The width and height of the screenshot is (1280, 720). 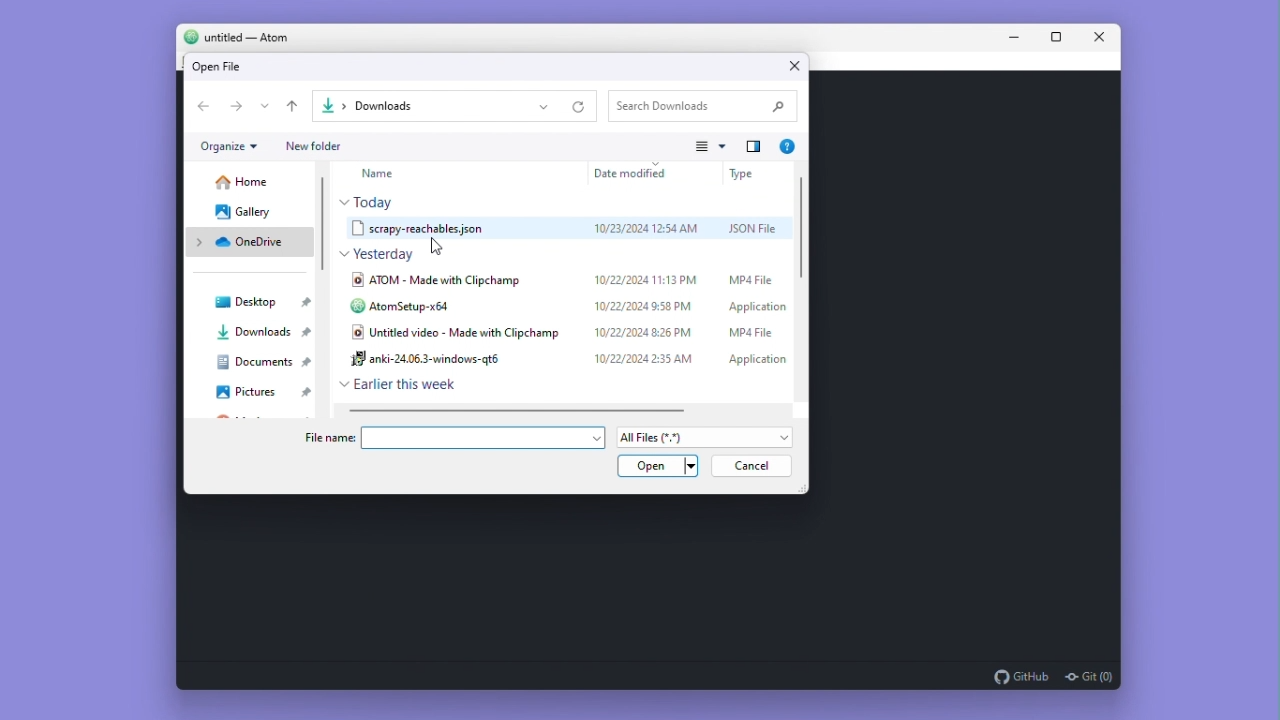 I want to click on file name, so click(x=452, y=438).